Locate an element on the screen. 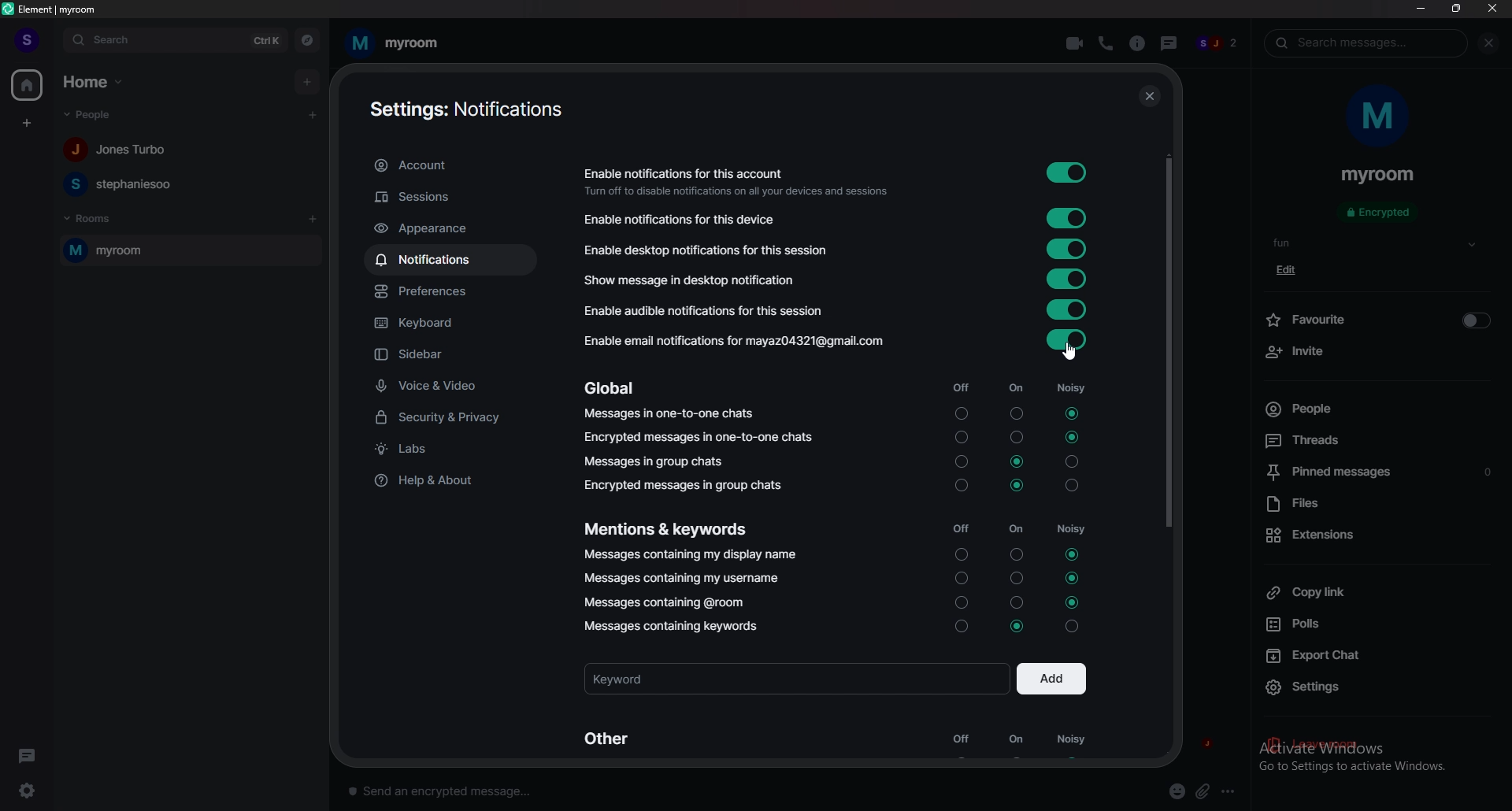  audible notifications is located at coordinates (837, 310).